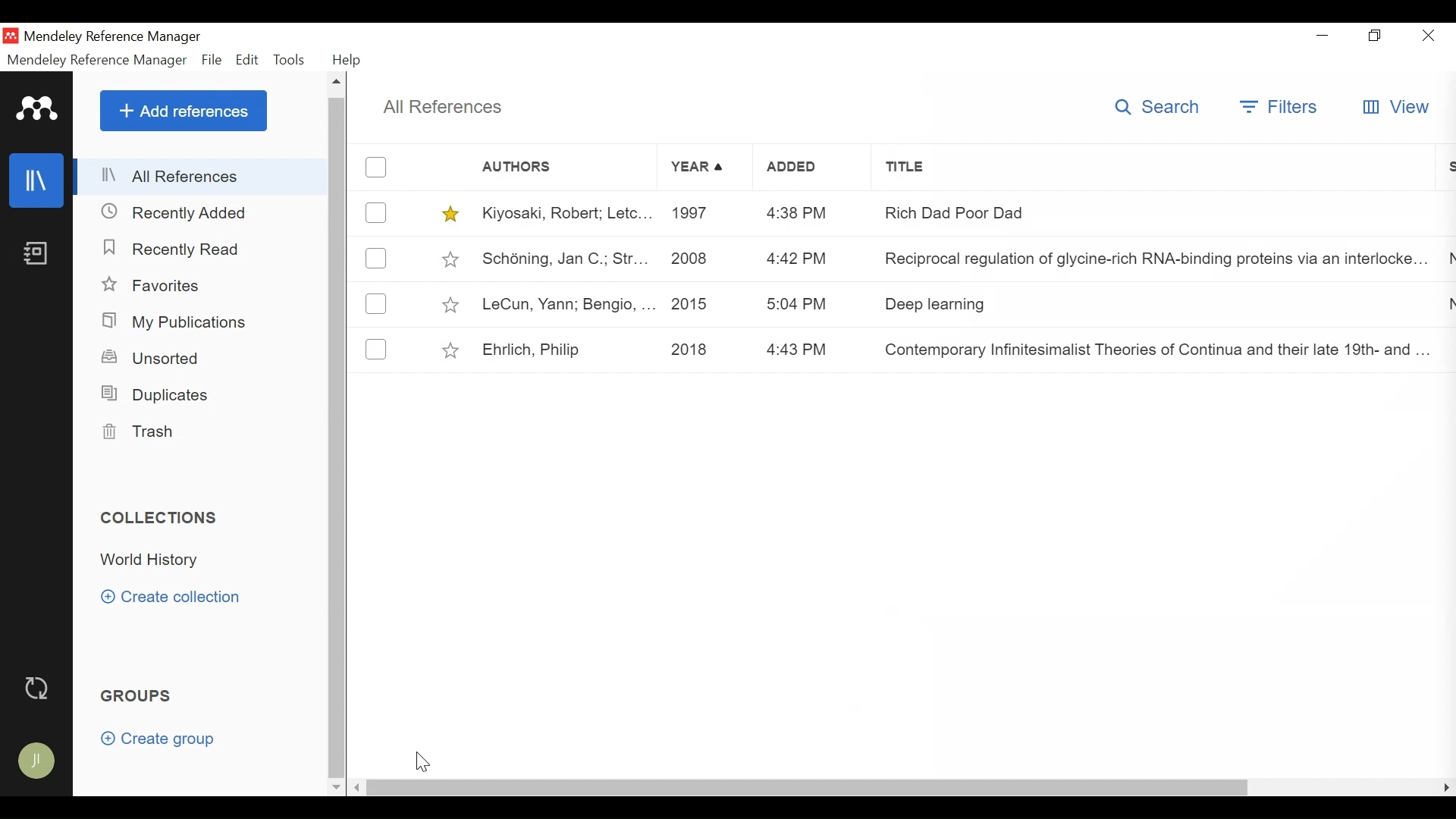 This screenshot has height=819, width=1456. Describe the element at coordinates (358, 788) in the screenshot. I see `Scroll left` at that location.